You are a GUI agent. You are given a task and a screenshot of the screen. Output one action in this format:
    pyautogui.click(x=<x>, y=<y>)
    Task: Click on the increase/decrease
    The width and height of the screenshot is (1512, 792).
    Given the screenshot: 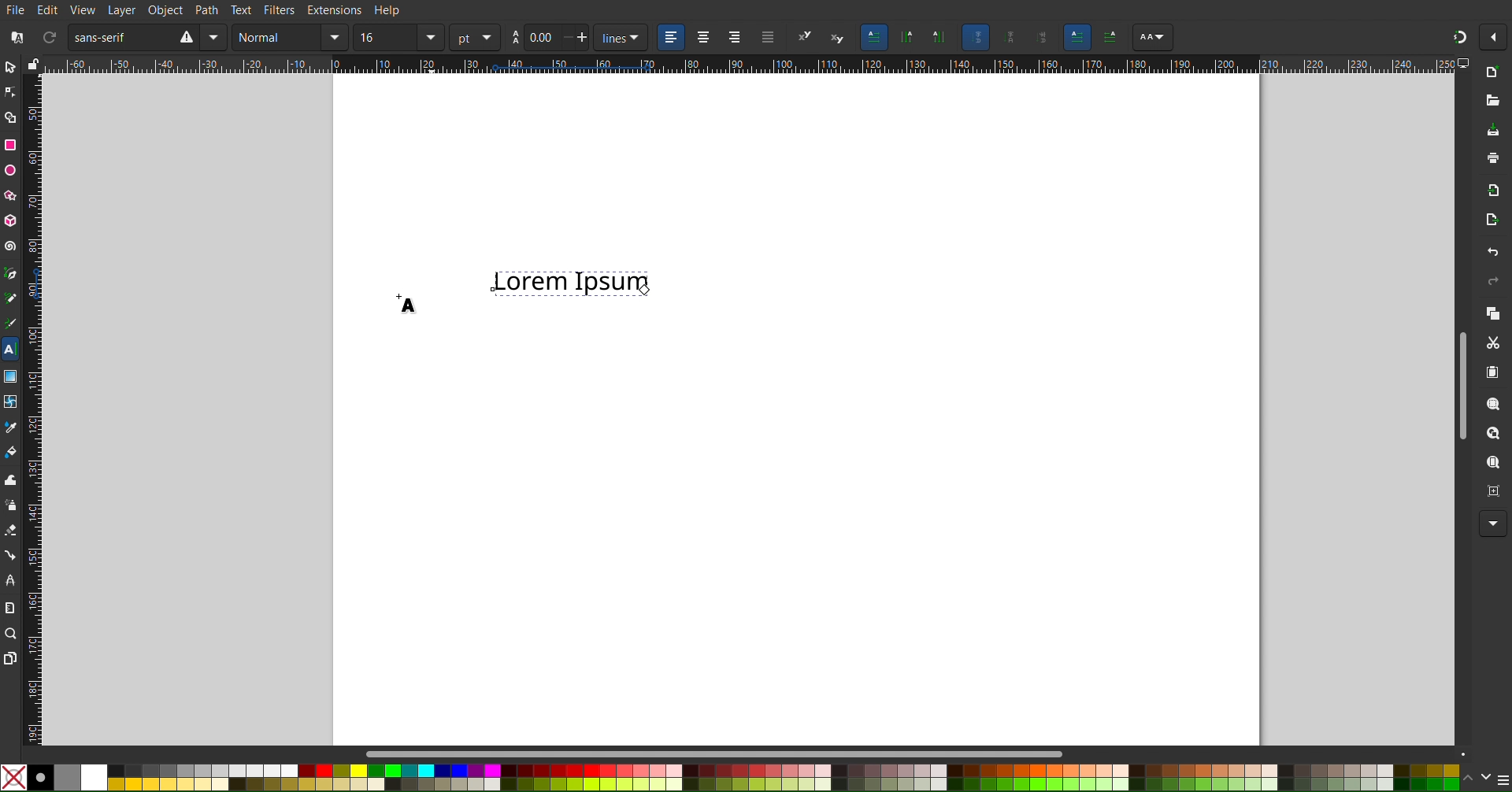 What is the action you would take?
    pyautogui.click(x=575, y=38)
    